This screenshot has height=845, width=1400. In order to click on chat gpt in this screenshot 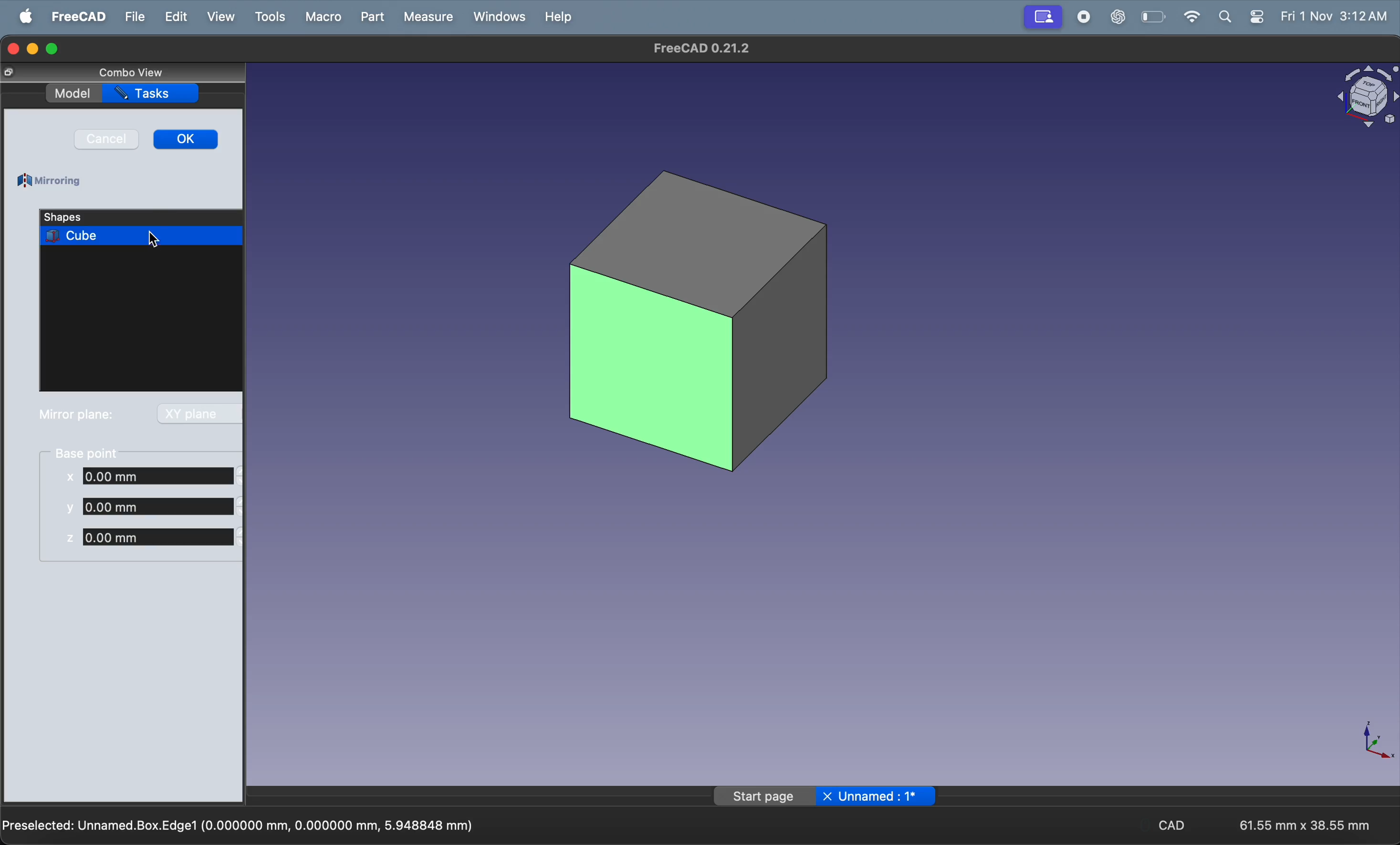, I will do `click(1121, 16)`.